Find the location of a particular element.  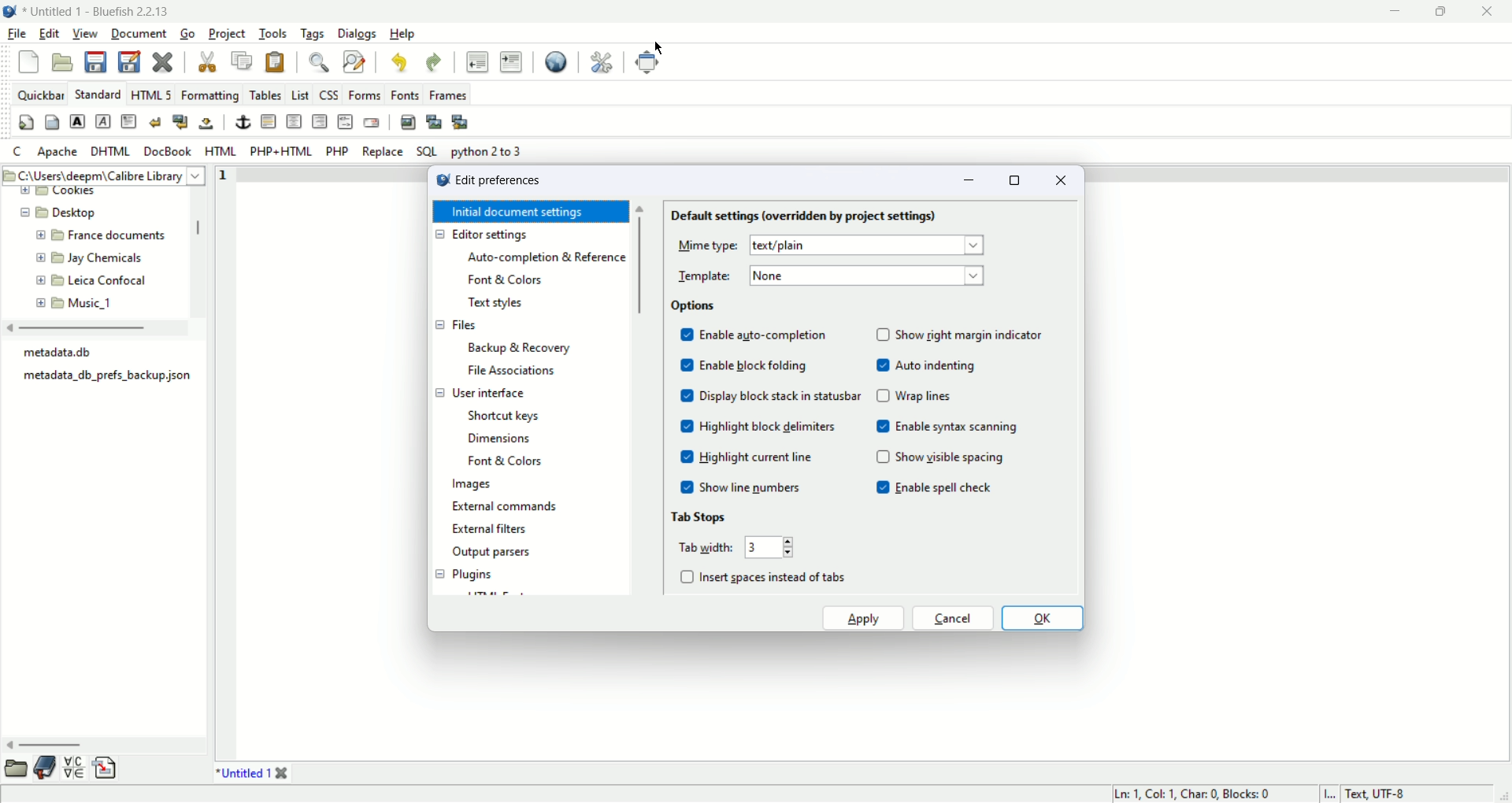

plugins is located at coordinates (473, 574).